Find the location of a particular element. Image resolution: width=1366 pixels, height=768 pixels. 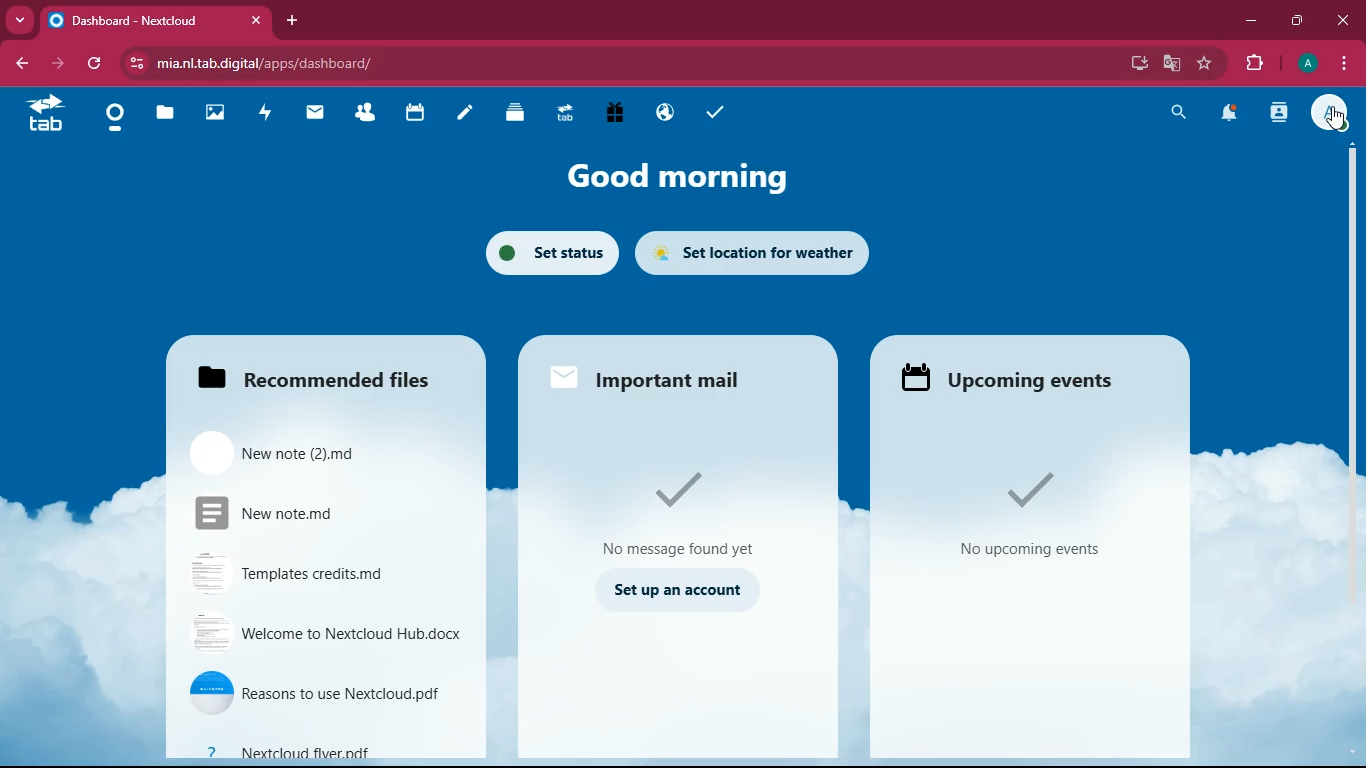

tab is located at coordinates (44, 114).